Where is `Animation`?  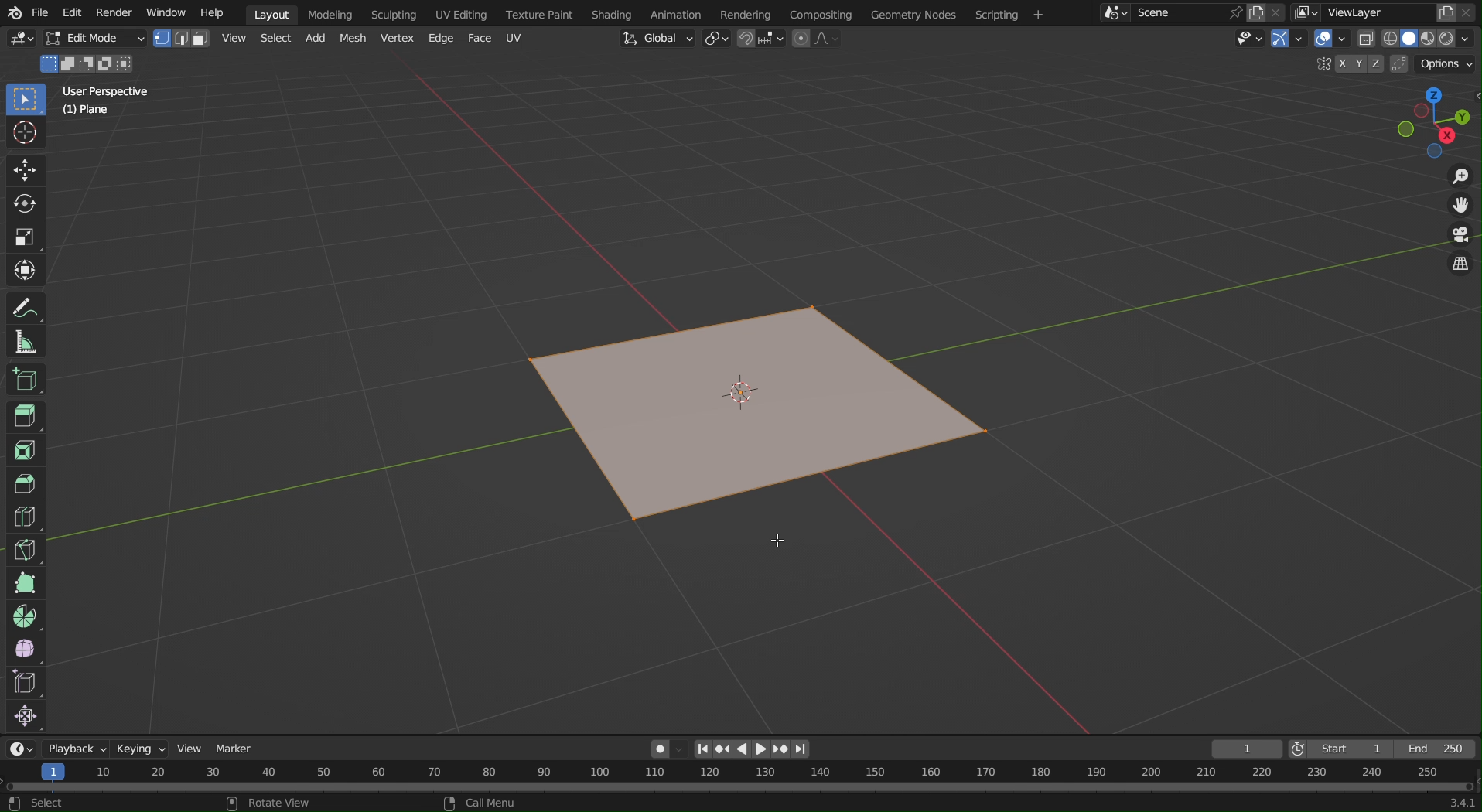
Animation is located at coordinates (677, 13).